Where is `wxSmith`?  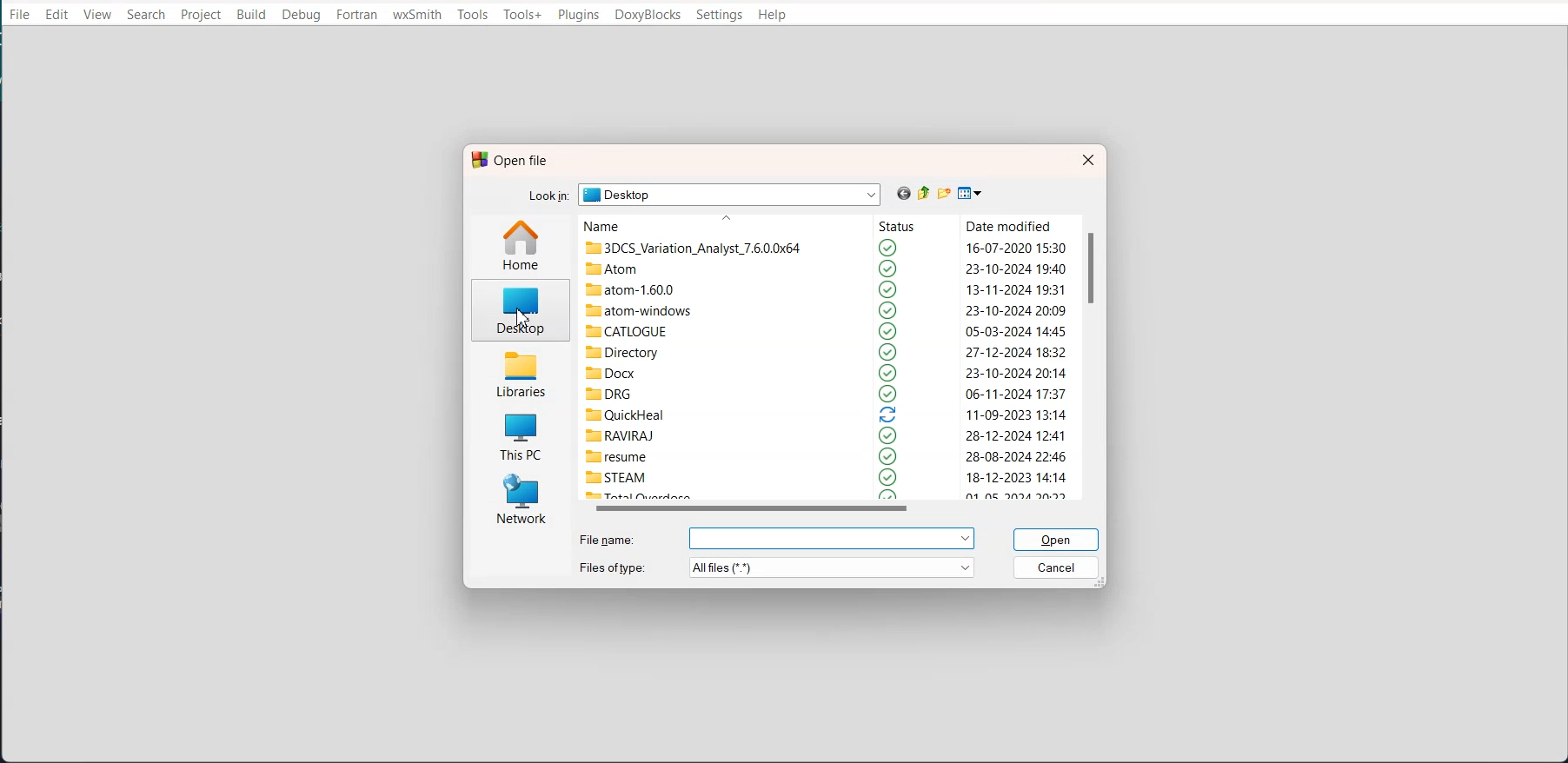
wxSmith is located at coordinates (417, 16).